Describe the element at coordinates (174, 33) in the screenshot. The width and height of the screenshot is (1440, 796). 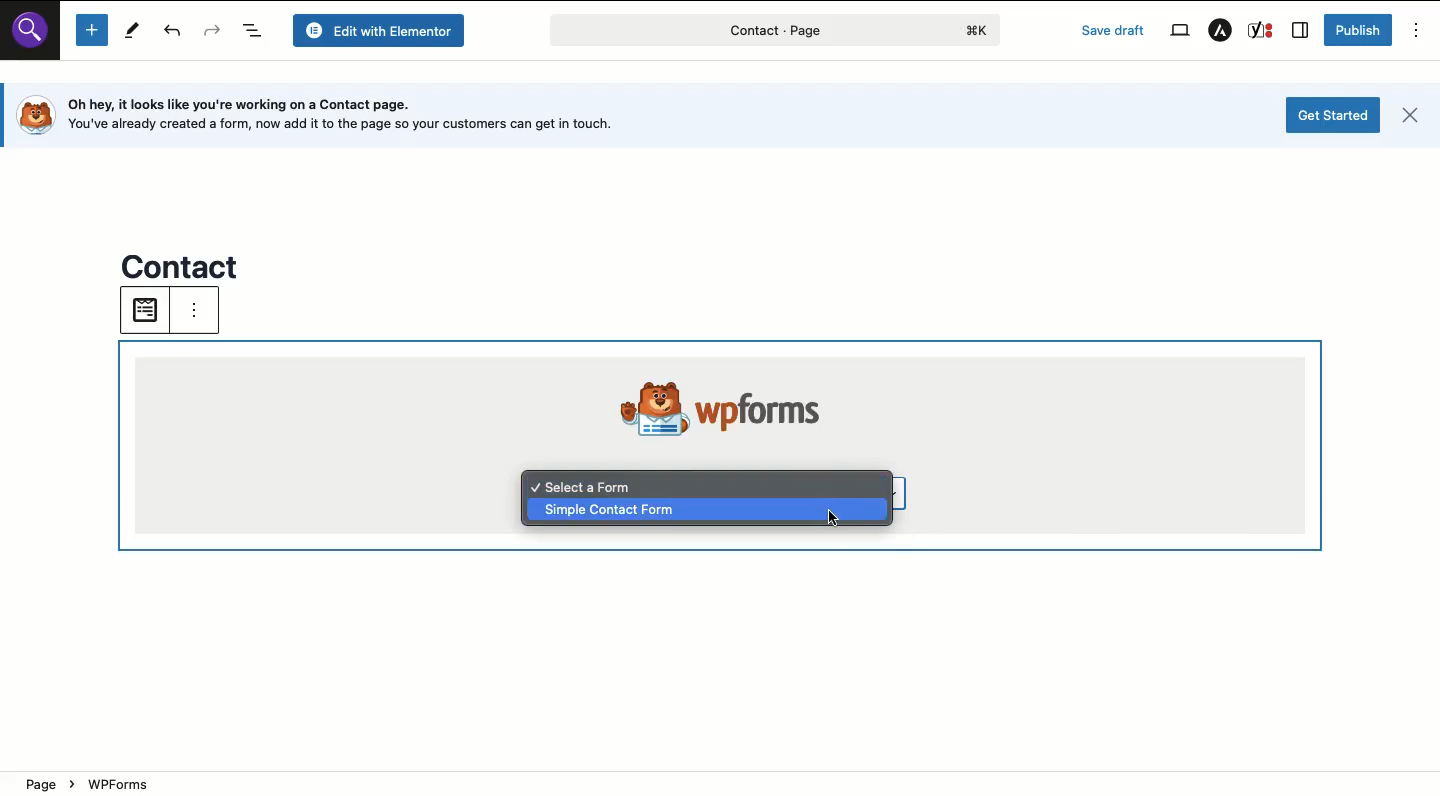
I see `Undo` at that location.